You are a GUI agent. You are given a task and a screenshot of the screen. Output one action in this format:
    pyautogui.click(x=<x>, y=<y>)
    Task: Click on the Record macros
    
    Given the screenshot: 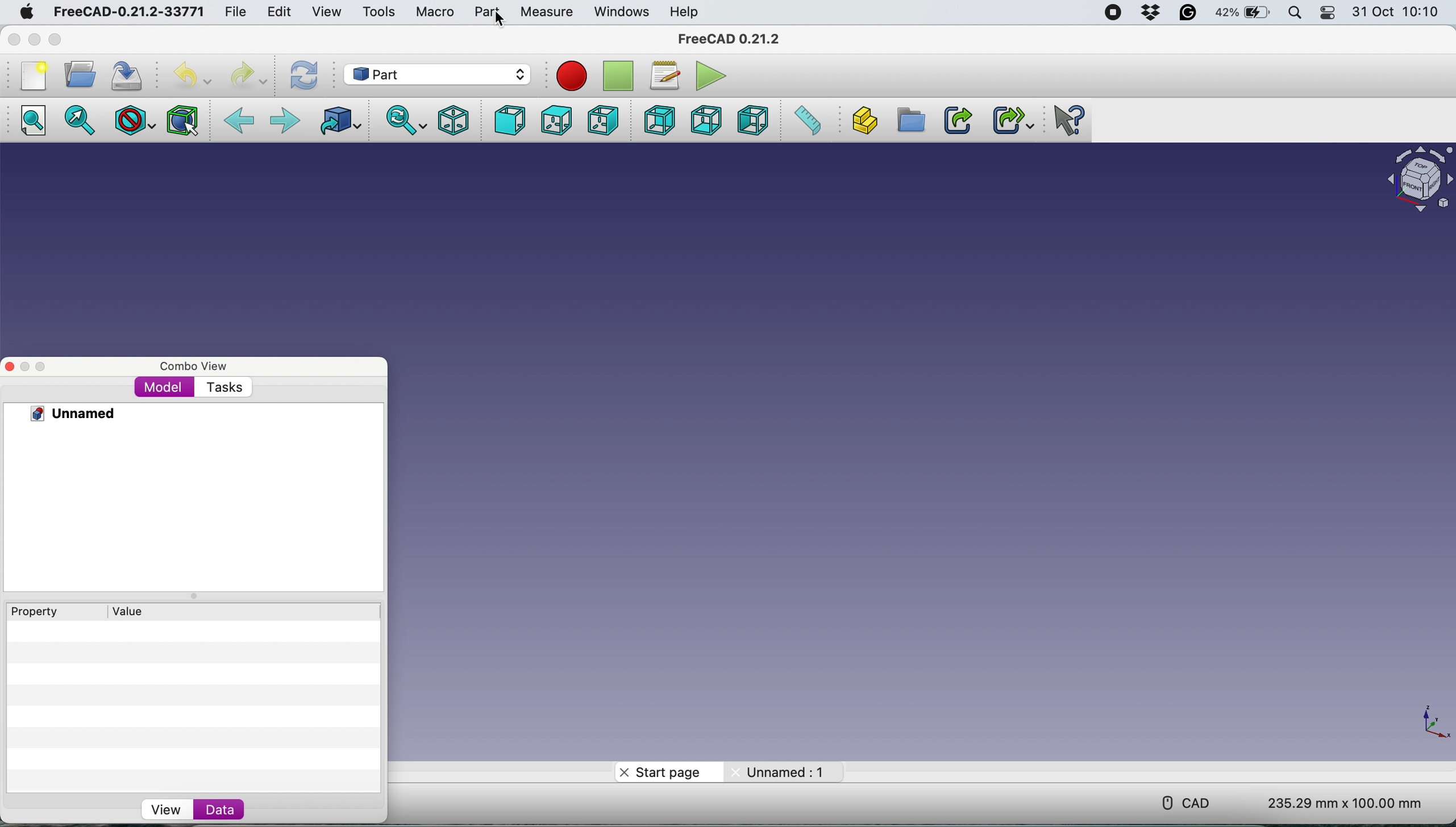 What is the action you would take?
    pyautogui.click(x=573, y=76)
    